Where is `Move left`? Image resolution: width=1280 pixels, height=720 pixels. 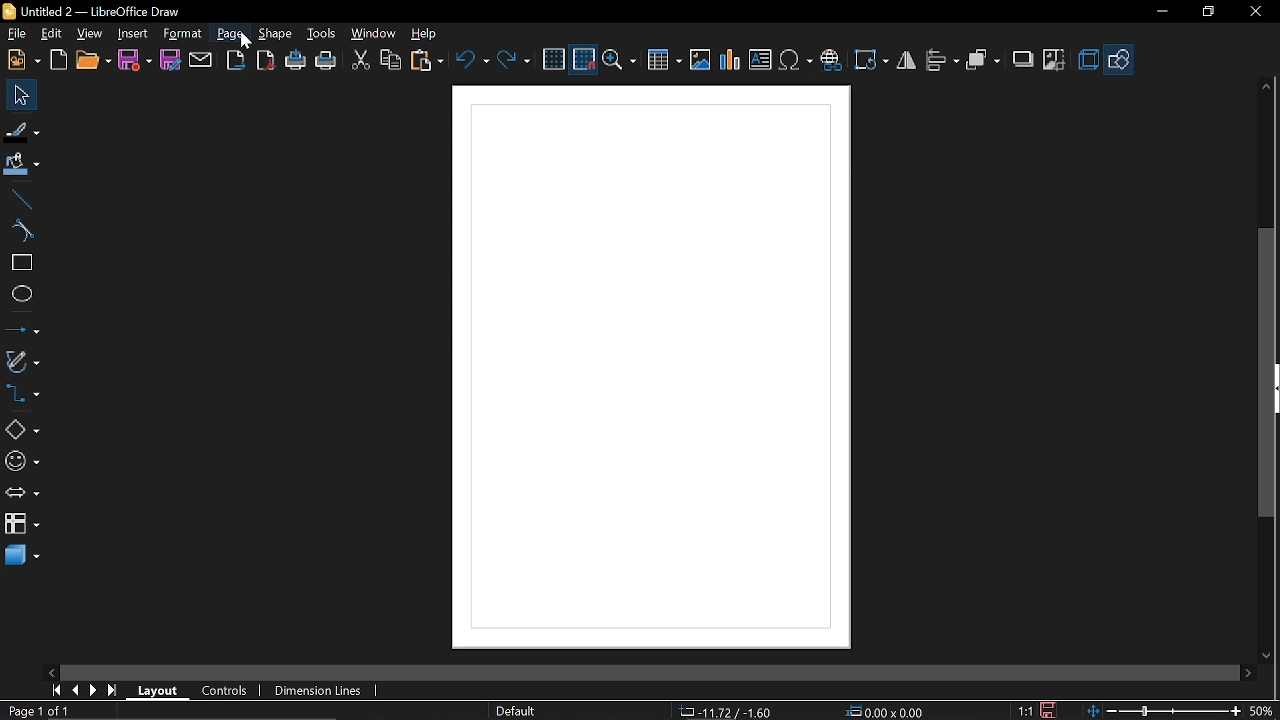 Move left is located at coordinates (49, 671).